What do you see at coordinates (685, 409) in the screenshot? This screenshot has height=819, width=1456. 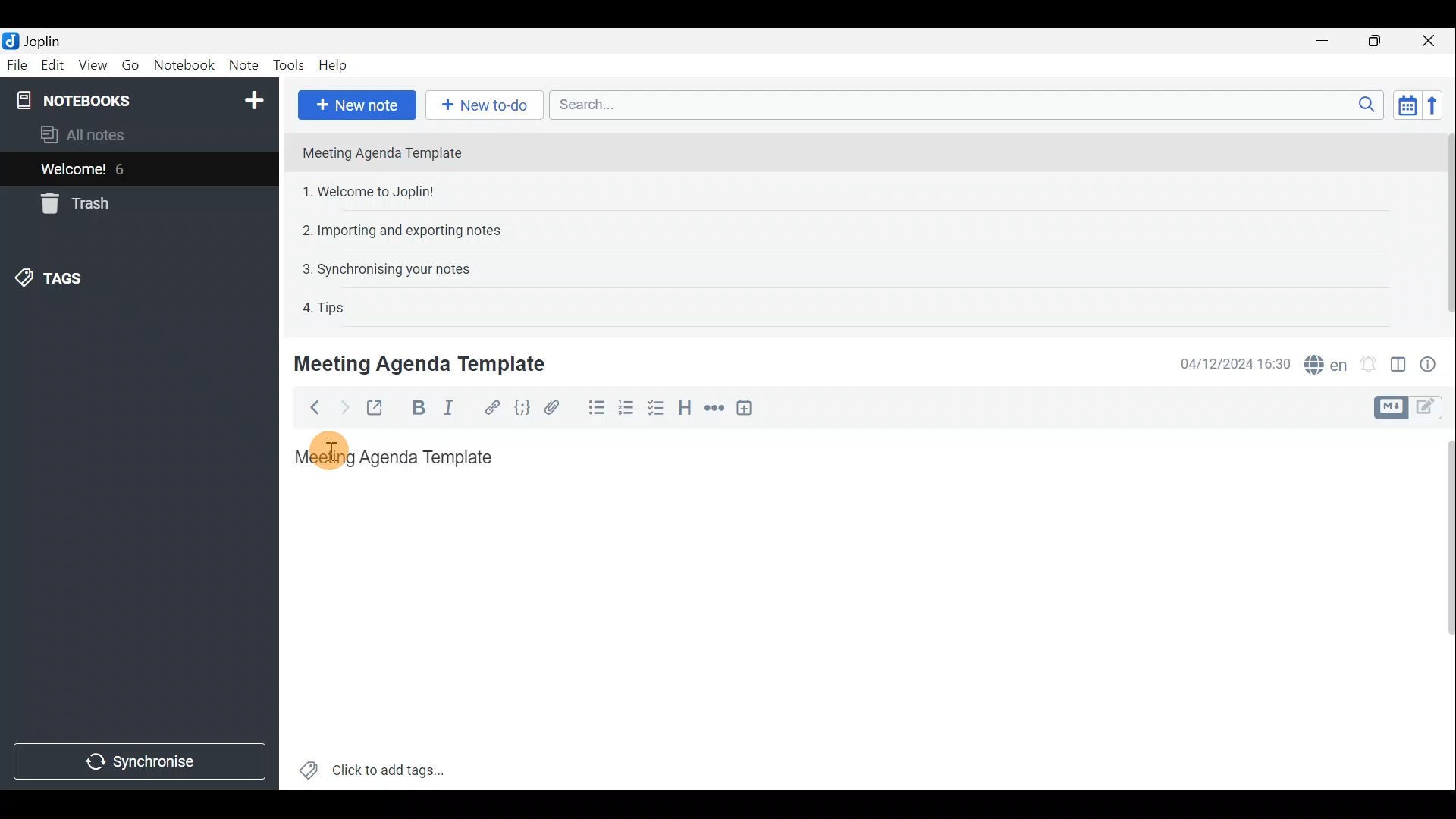 I see `Heading` at bounding box center [685, 409].